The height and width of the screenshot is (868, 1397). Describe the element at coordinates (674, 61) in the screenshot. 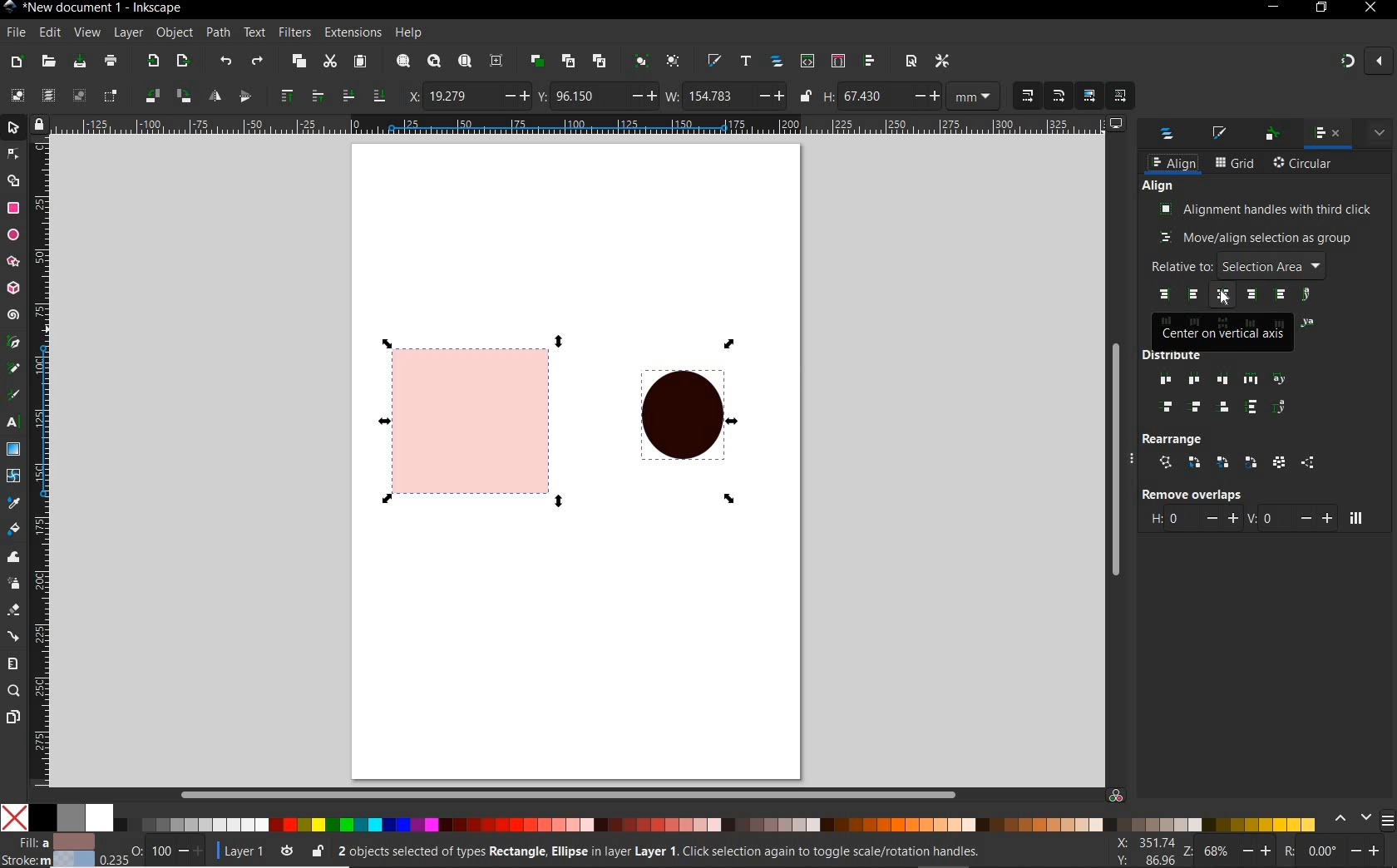

I see `ungroup` at that location.